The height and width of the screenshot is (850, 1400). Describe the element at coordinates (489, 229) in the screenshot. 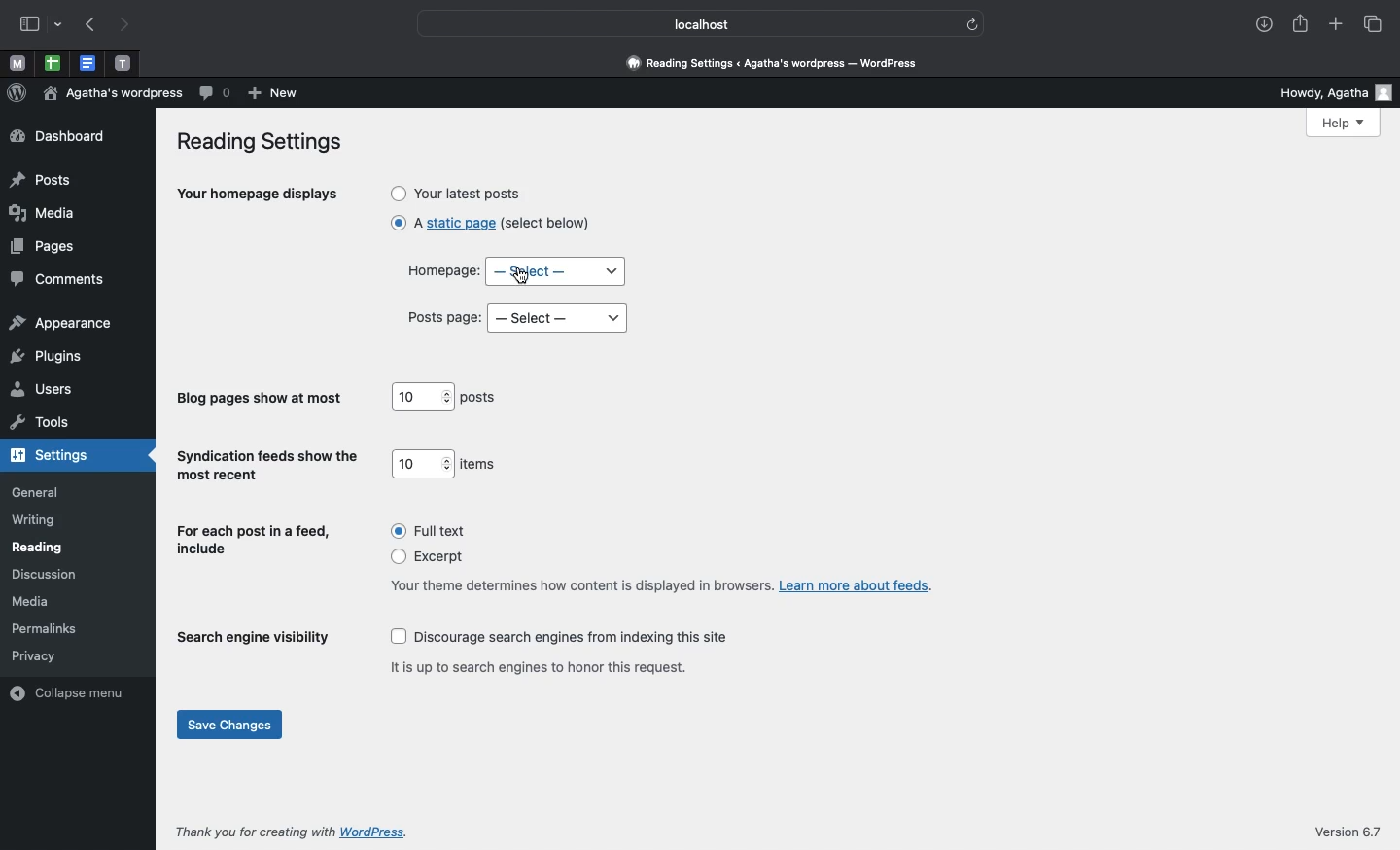

I see `A static page` at that location.